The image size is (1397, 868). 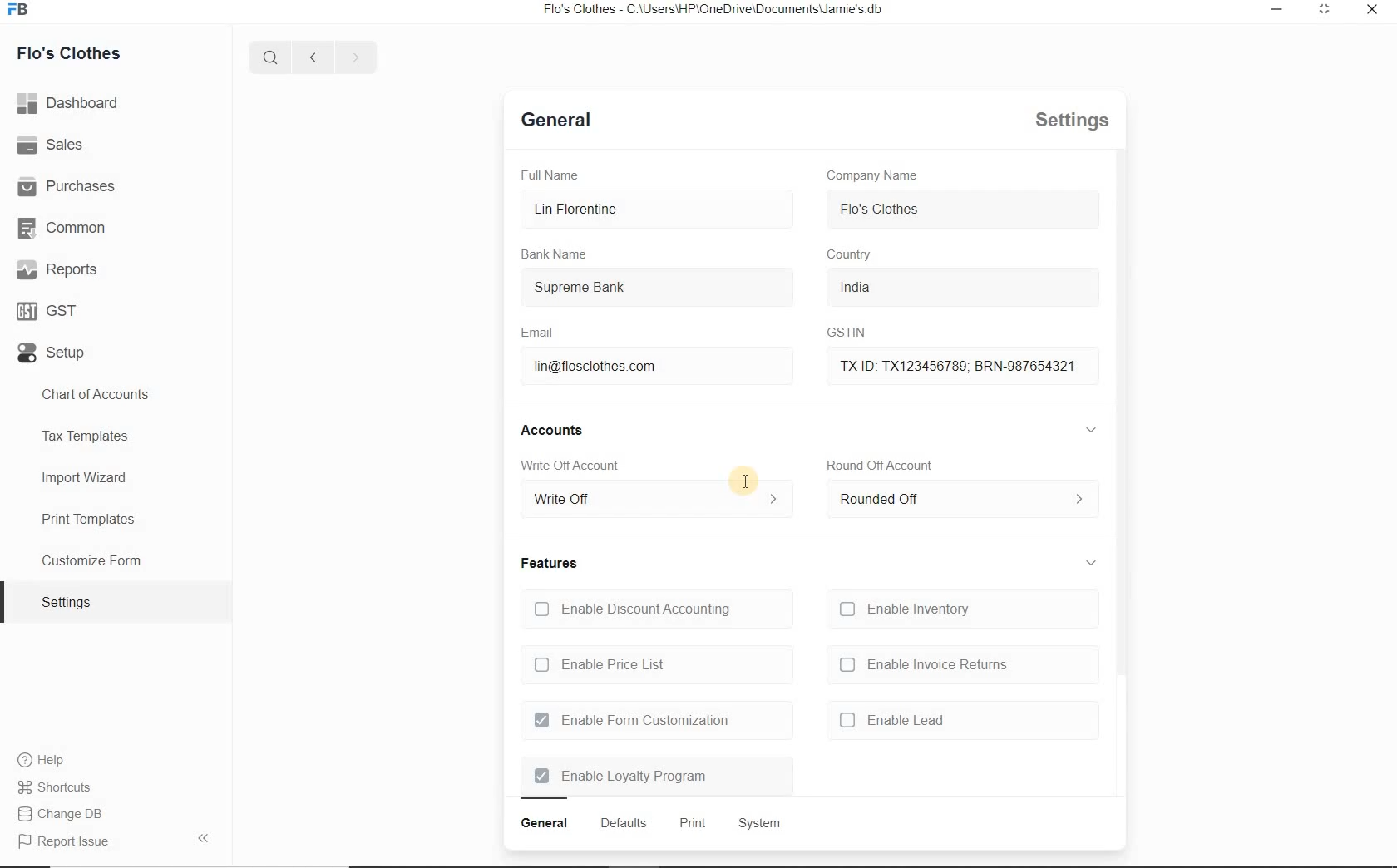 I want to click on Write Off, so click(x=655, y=504).